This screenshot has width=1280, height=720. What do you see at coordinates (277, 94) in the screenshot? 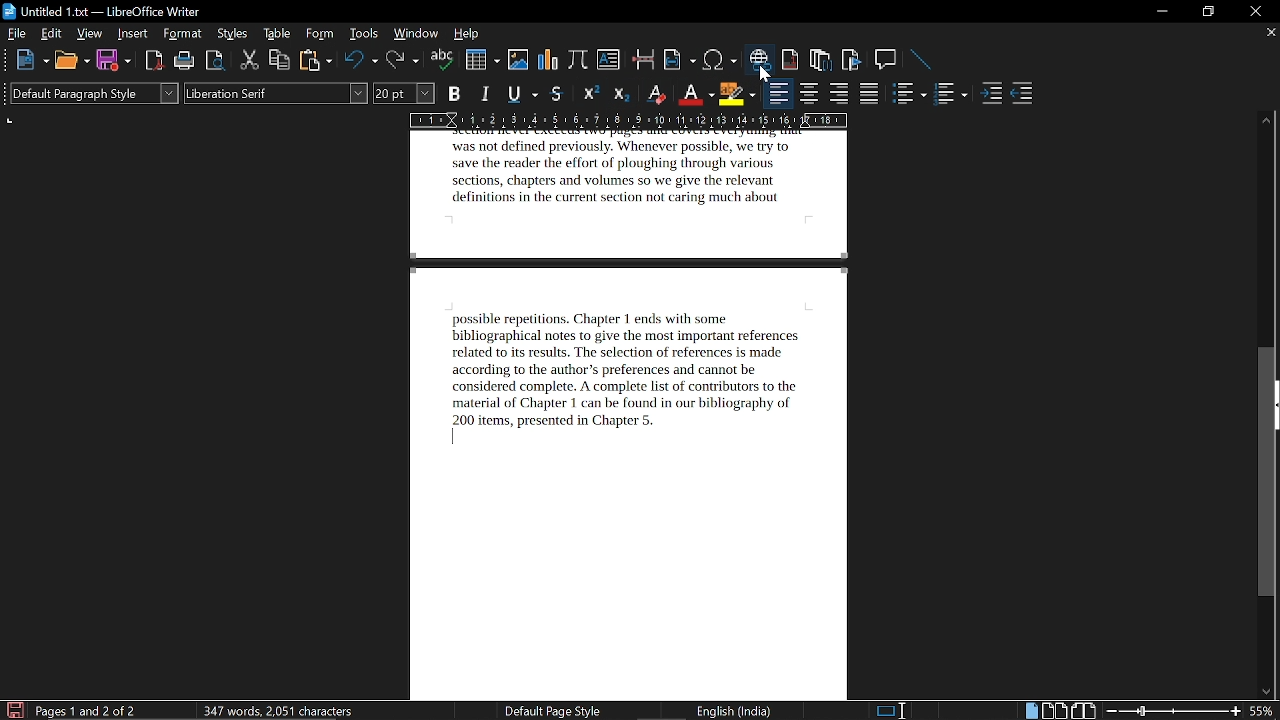
I see `font style` at bounding box center [277, 94].